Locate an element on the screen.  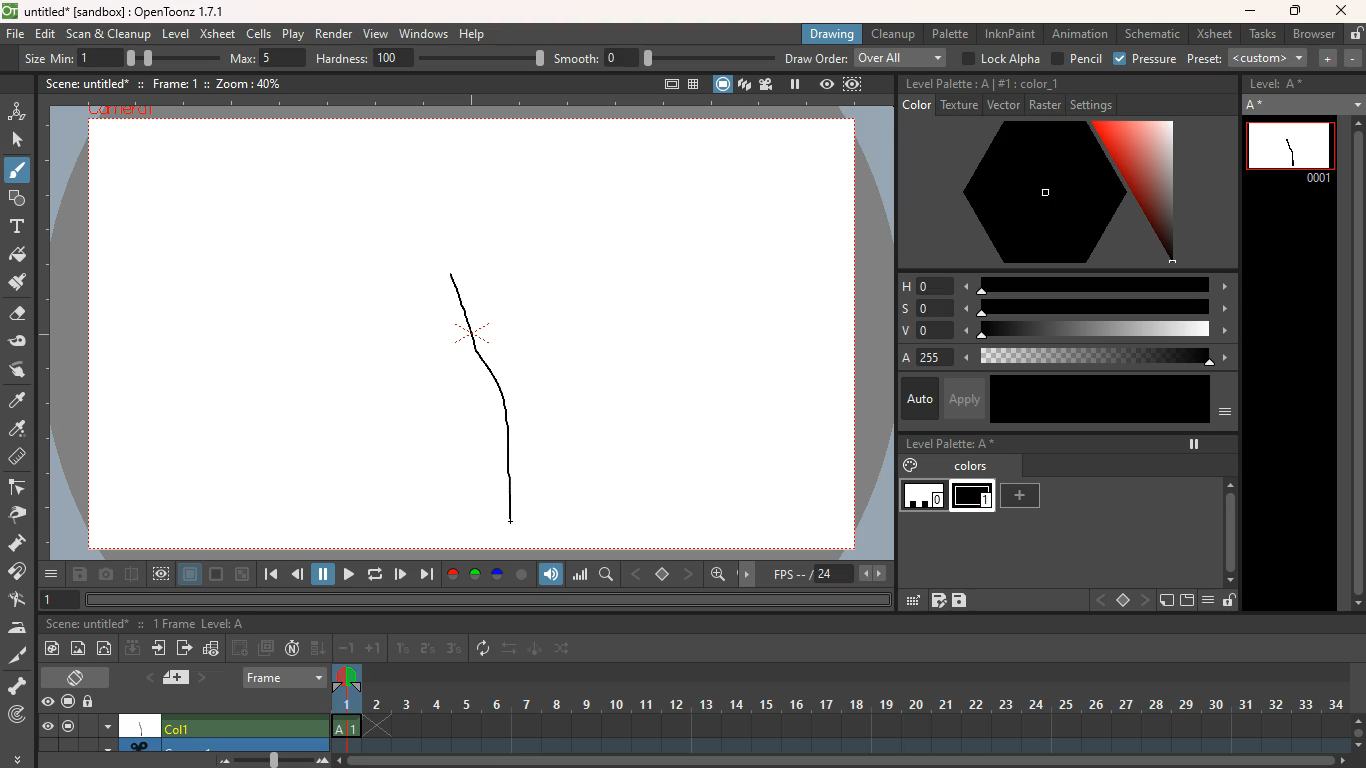
erase is located at coordinates (19, 318).